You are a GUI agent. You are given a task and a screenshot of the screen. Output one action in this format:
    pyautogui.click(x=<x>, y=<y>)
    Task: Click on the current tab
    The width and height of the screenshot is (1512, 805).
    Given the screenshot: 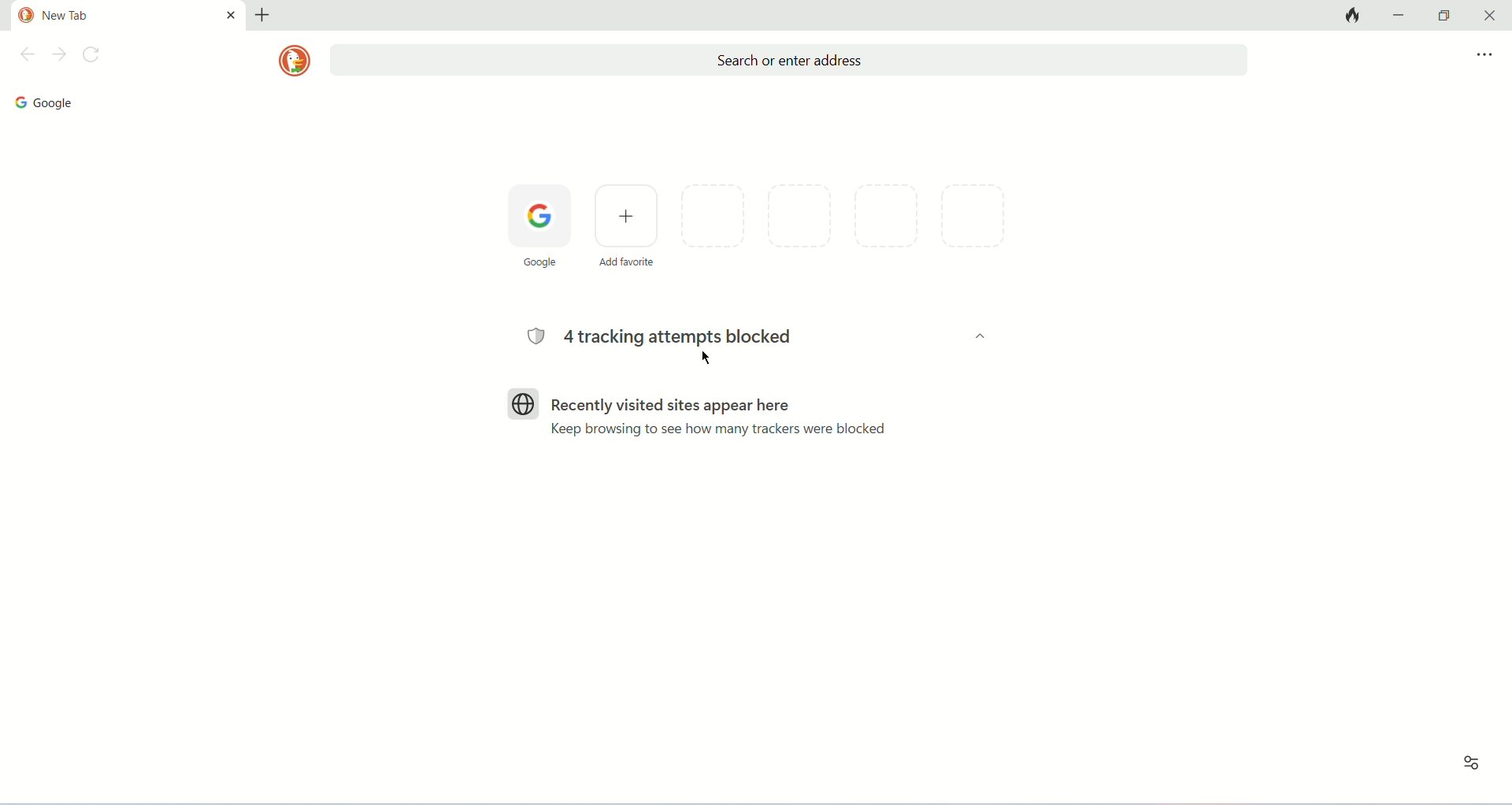 What is the action you would take?
    pyautogui.click(x=112, y=16)
    